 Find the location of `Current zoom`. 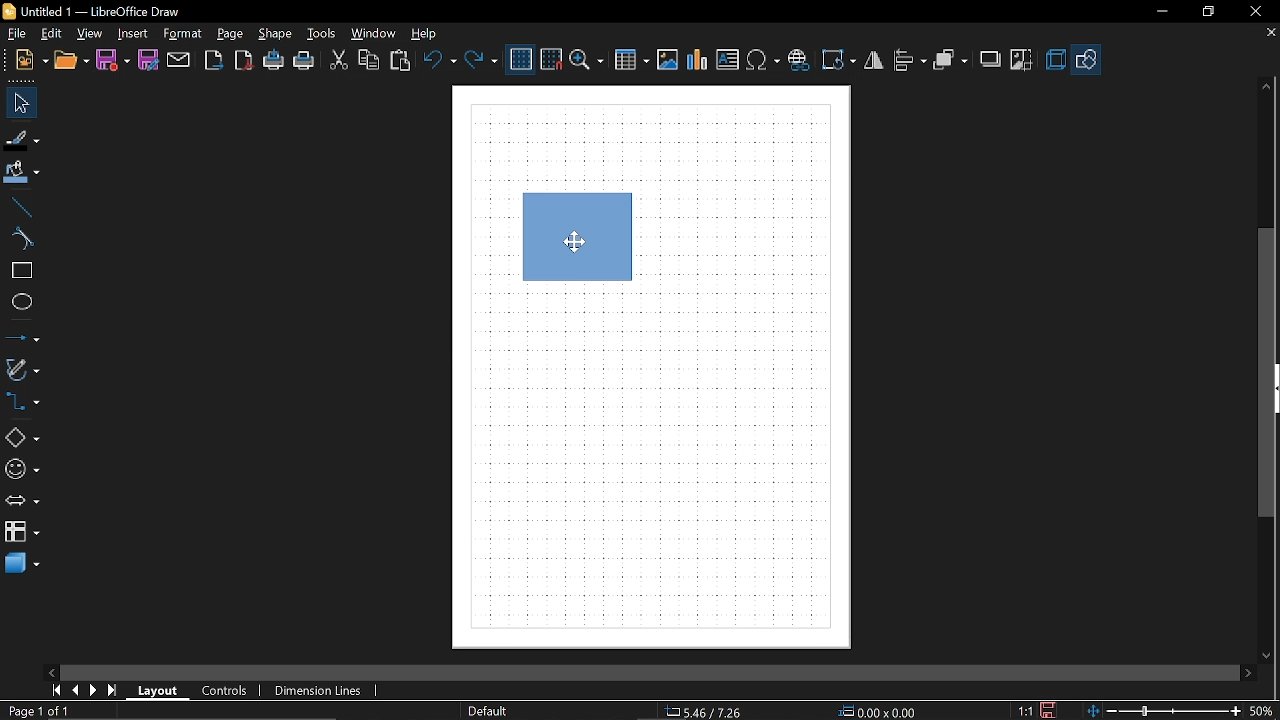

Current zoom is located at coordinates (1260, 710).